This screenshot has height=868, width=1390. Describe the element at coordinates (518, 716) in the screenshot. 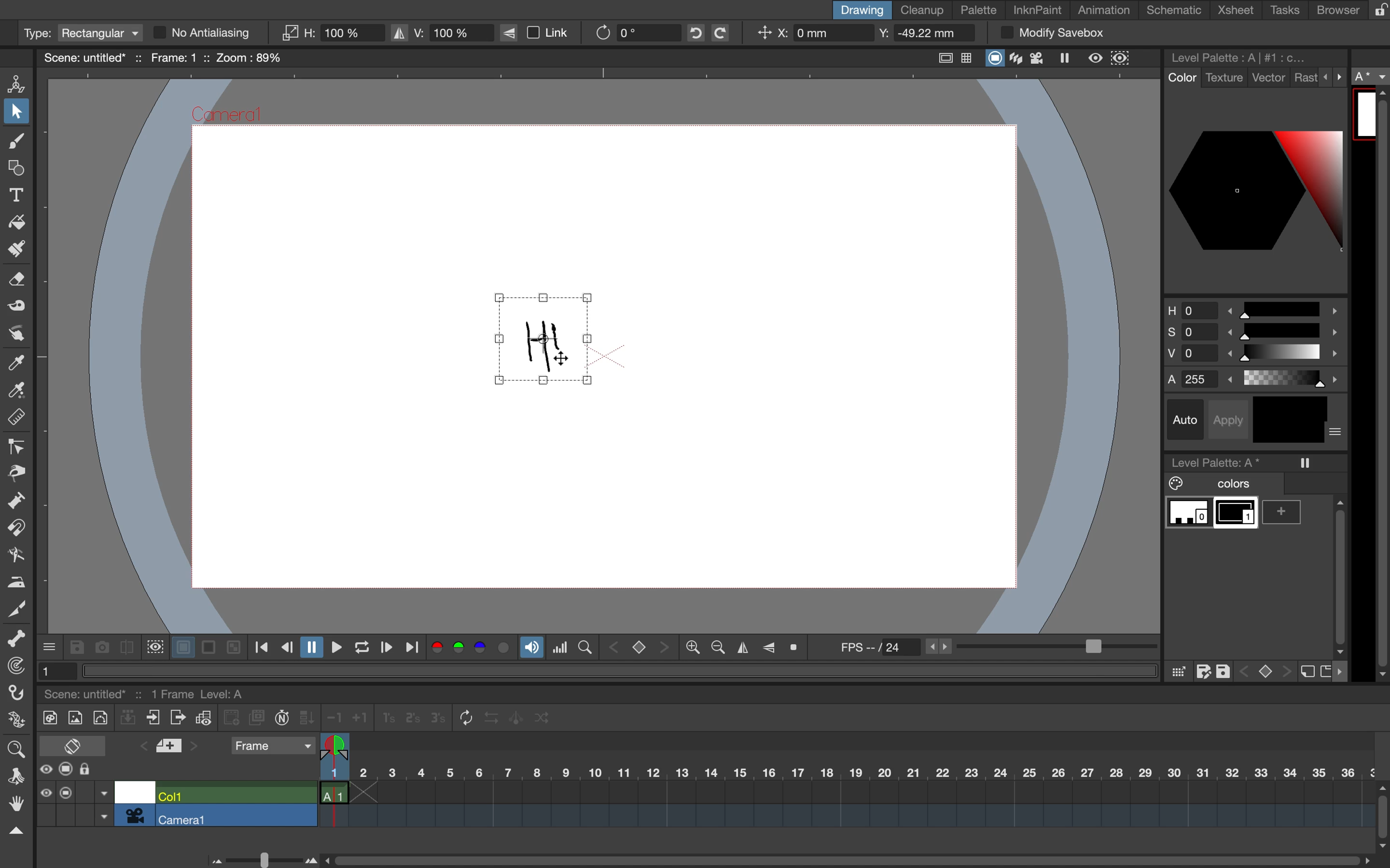

I see `swing` at that location.